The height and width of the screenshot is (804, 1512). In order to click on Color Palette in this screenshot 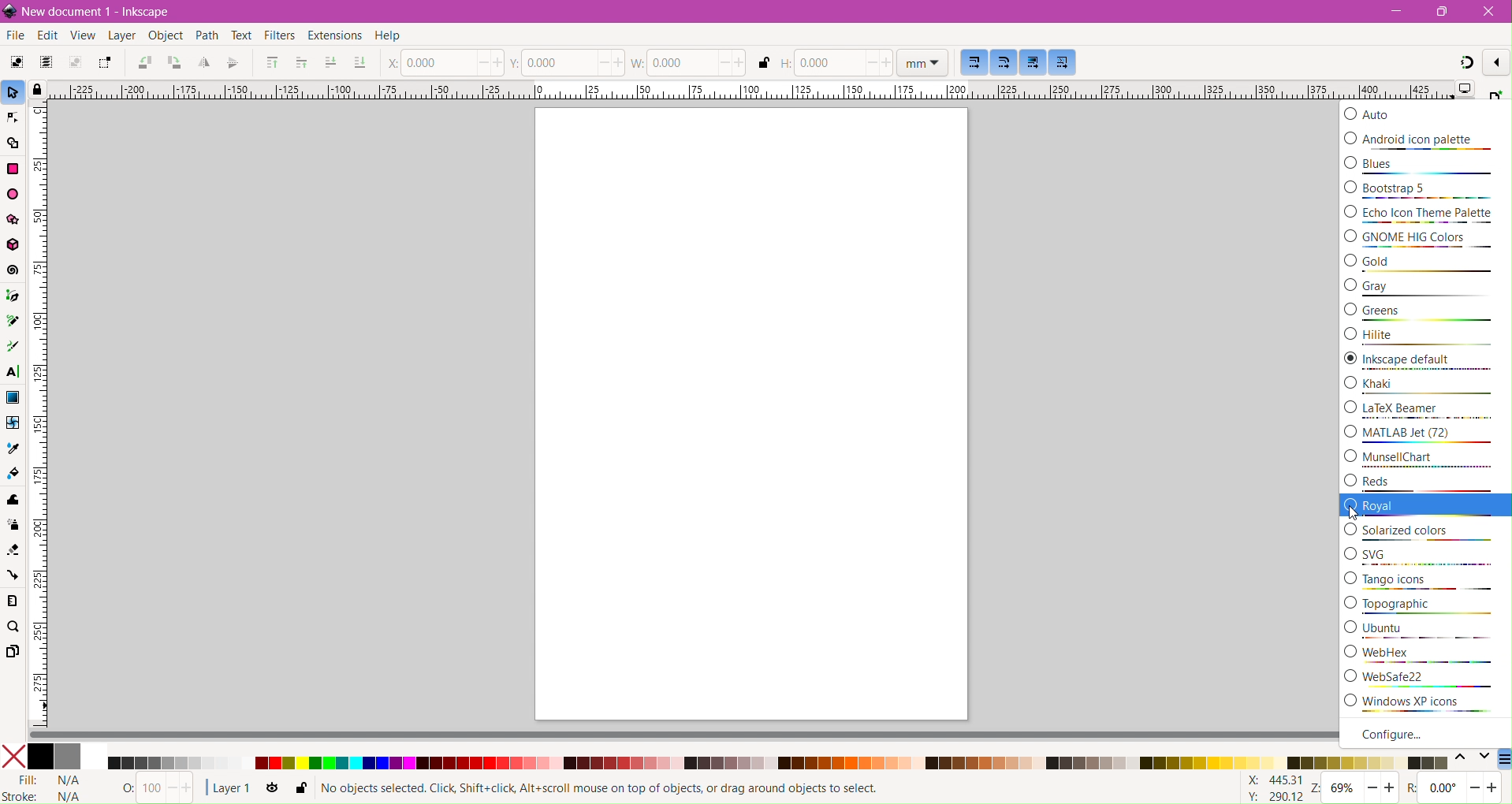, I will do `click(777, 763)`.